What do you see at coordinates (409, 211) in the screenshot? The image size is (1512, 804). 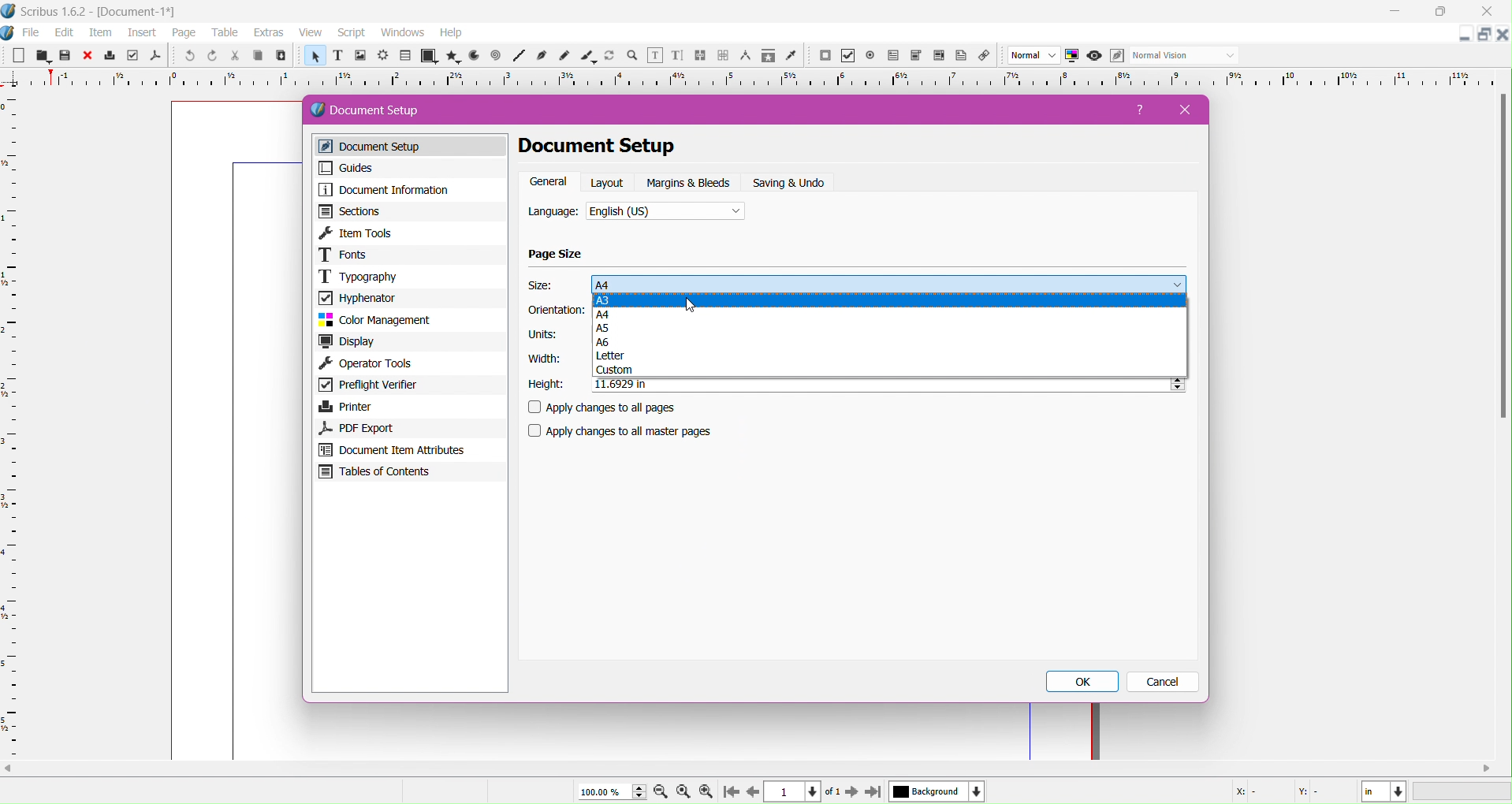 I see `Sections` at bounding box center [409, 211].